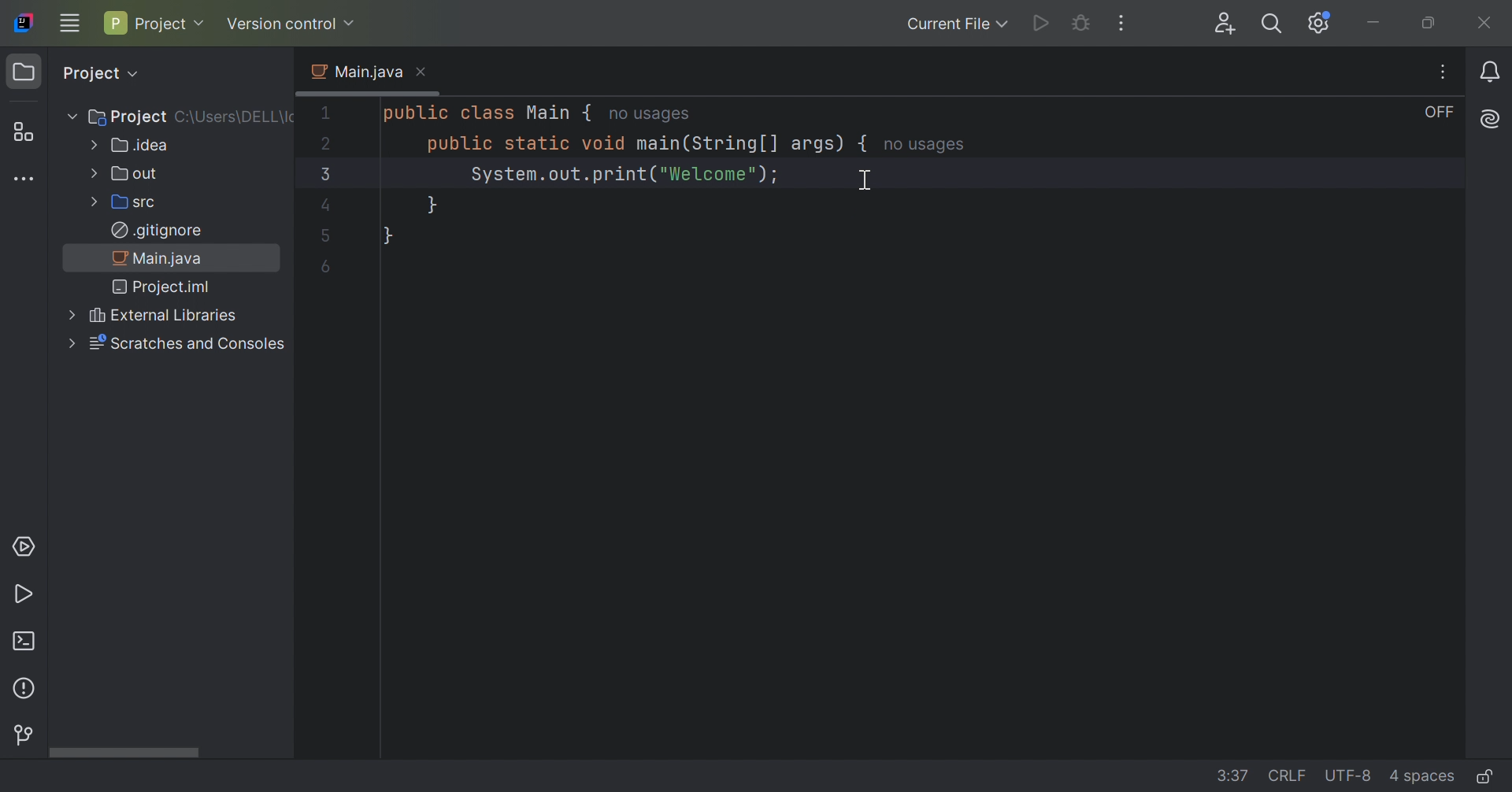 The image size is (1512, 792). What do you see at coordinates (128, 146) in the screenshot?
I see `Idea` at bounding box center [128, 146].